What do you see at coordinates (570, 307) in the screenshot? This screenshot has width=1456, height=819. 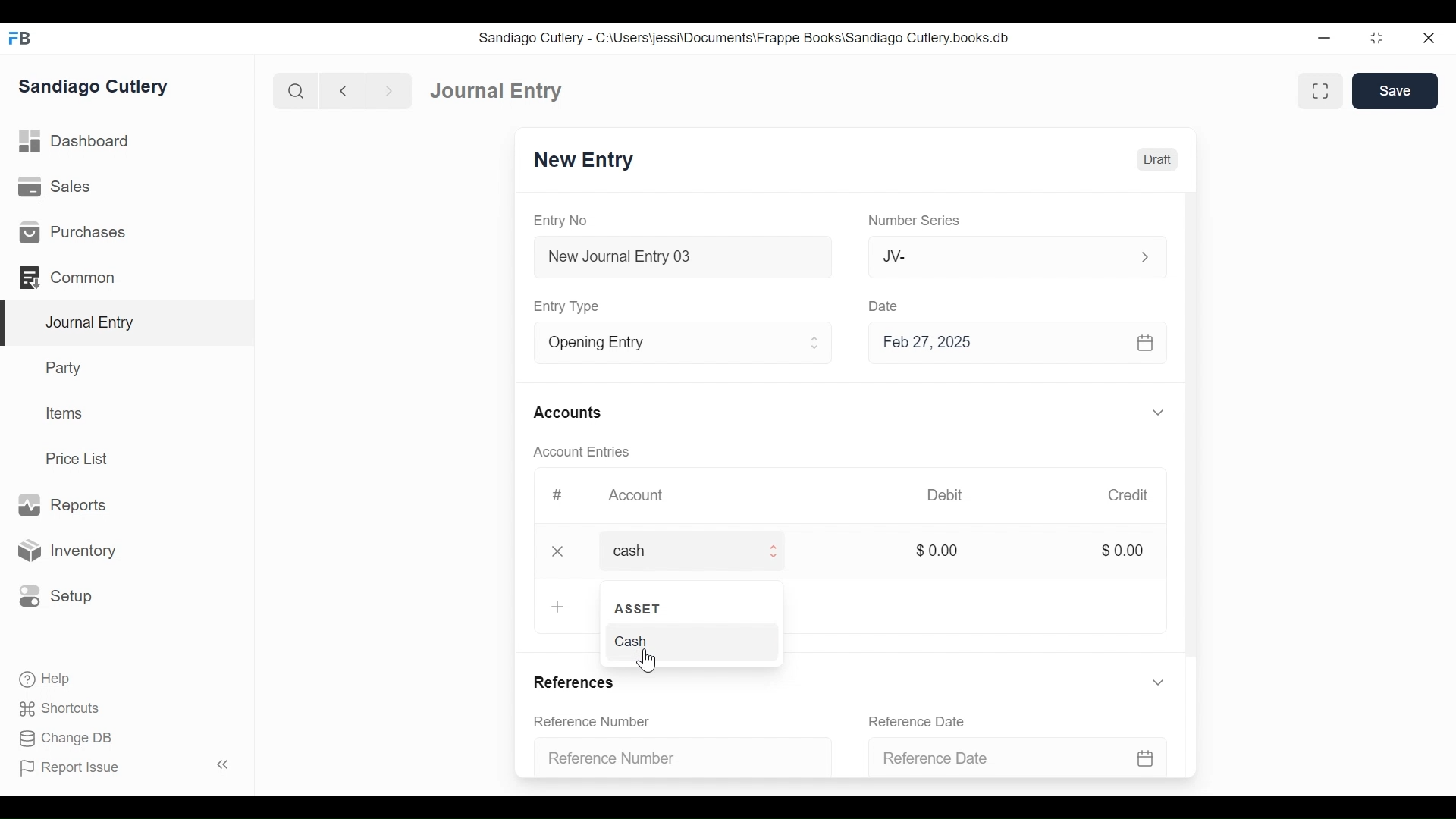 I see `Entry Type` at bounding box center [570, 307].